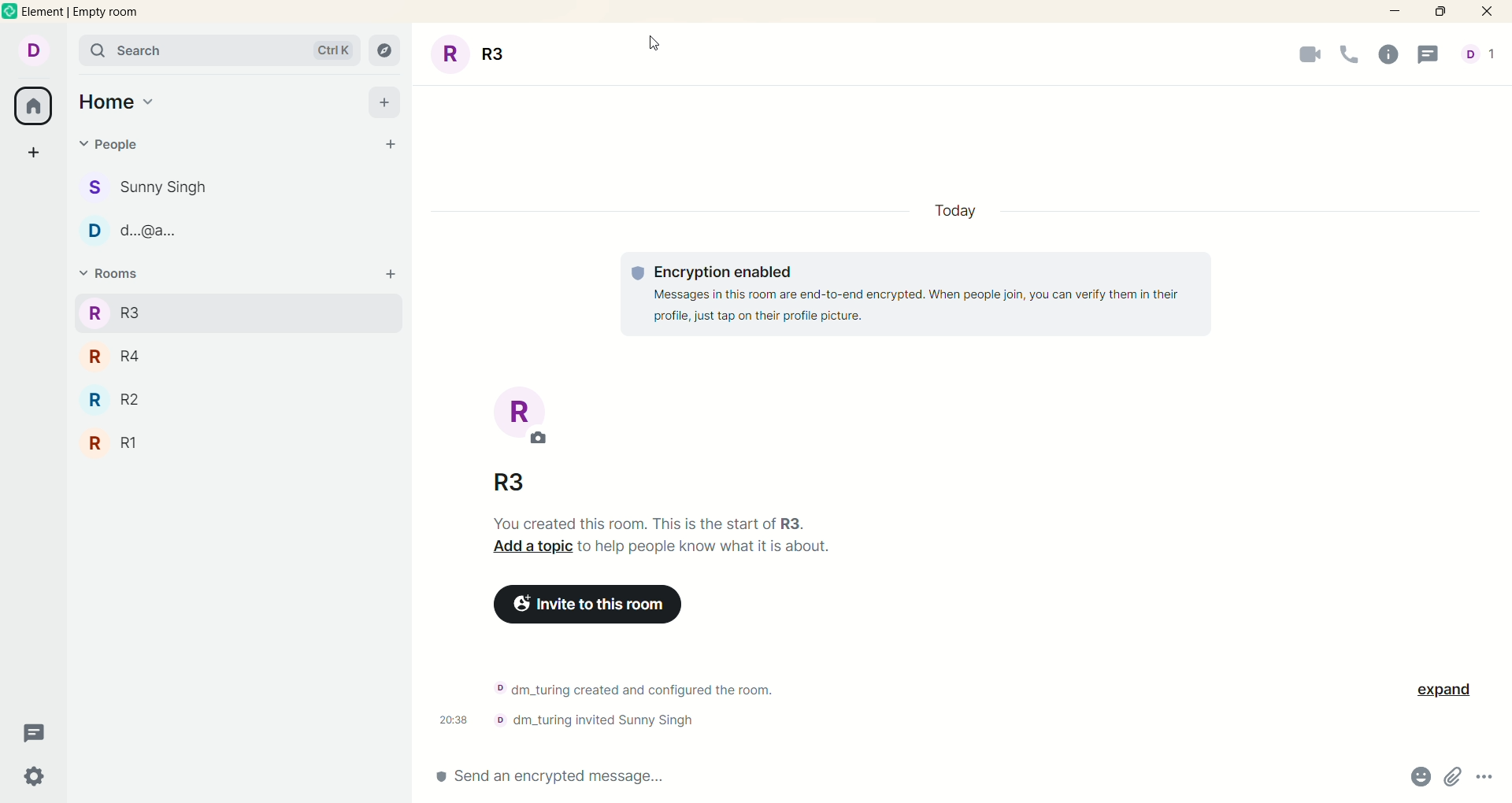 This screenshot has width=1512, height=803. What do you see at coordinates (10, 11) in the screenshot?
I see `logo` at bounding box center [10, 11].